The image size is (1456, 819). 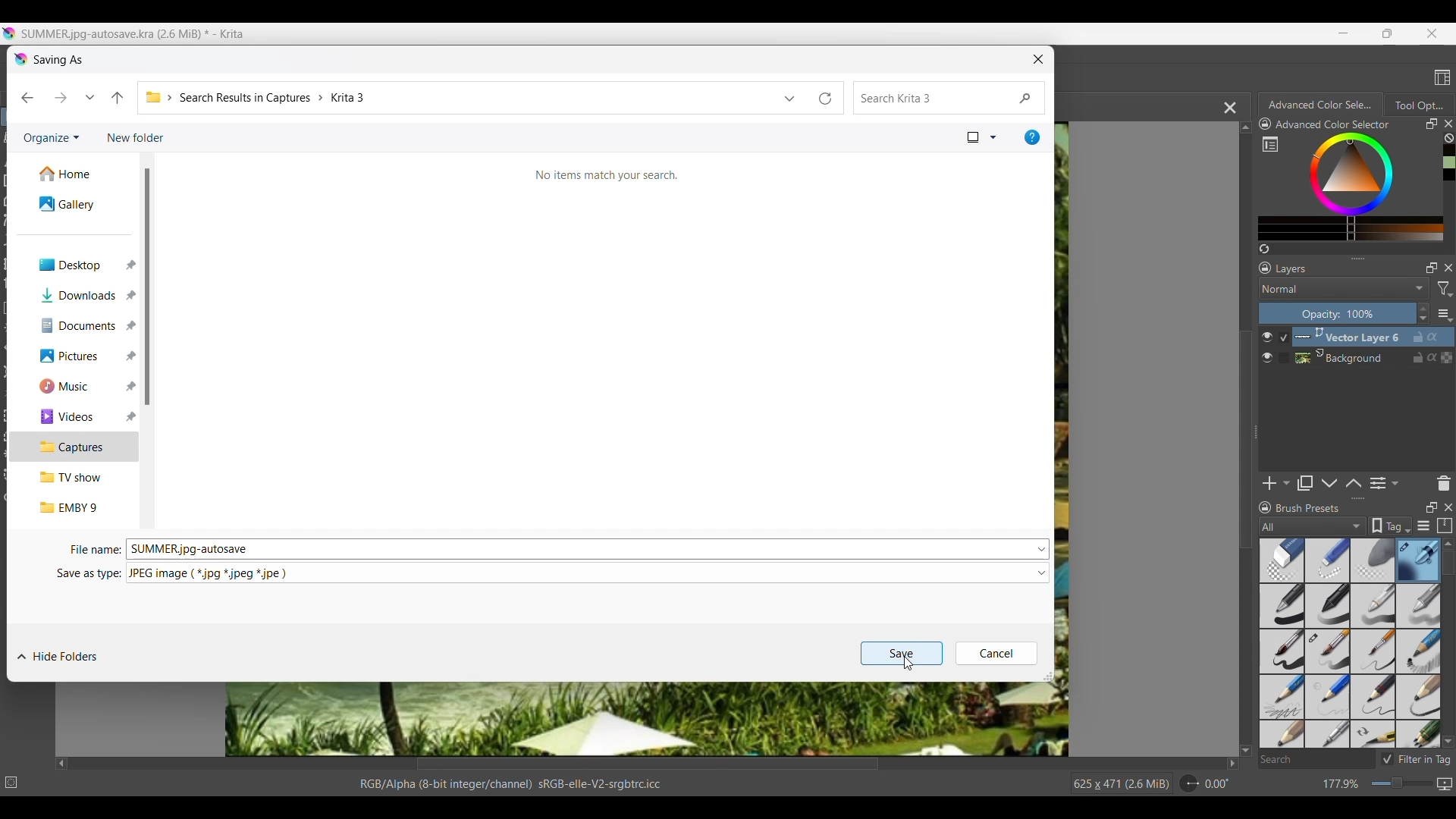 I want to click on Clear all color history, so click(x=1448, y=138).